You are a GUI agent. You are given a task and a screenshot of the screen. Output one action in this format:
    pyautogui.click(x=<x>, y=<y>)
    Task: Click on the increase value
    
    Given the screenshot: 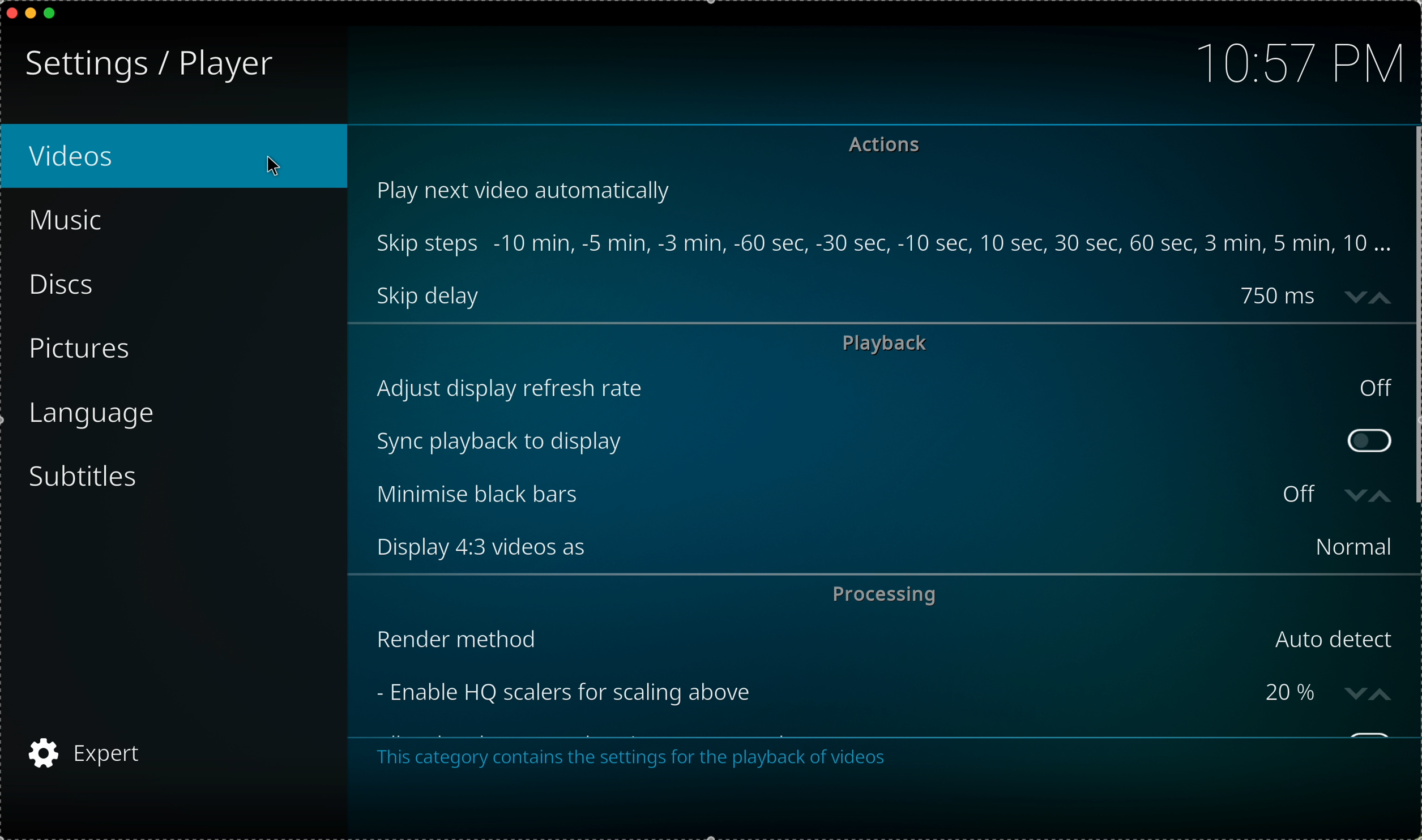 What is the action you would take?
    pyautogui.click(x=1385, y=692)
    